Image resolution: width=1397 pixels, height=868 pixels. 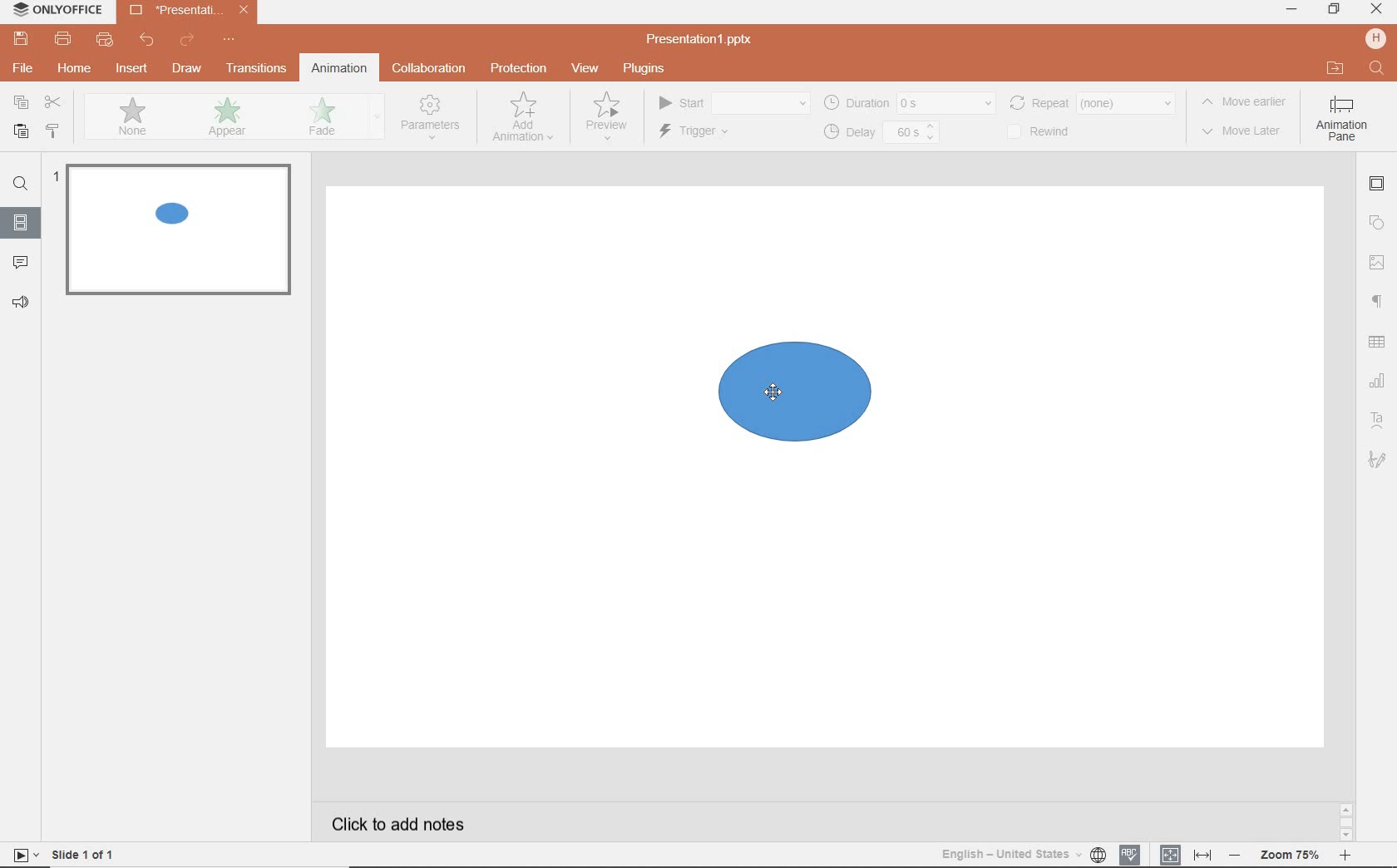 I want to click on comments, so click(x=22, y=263).